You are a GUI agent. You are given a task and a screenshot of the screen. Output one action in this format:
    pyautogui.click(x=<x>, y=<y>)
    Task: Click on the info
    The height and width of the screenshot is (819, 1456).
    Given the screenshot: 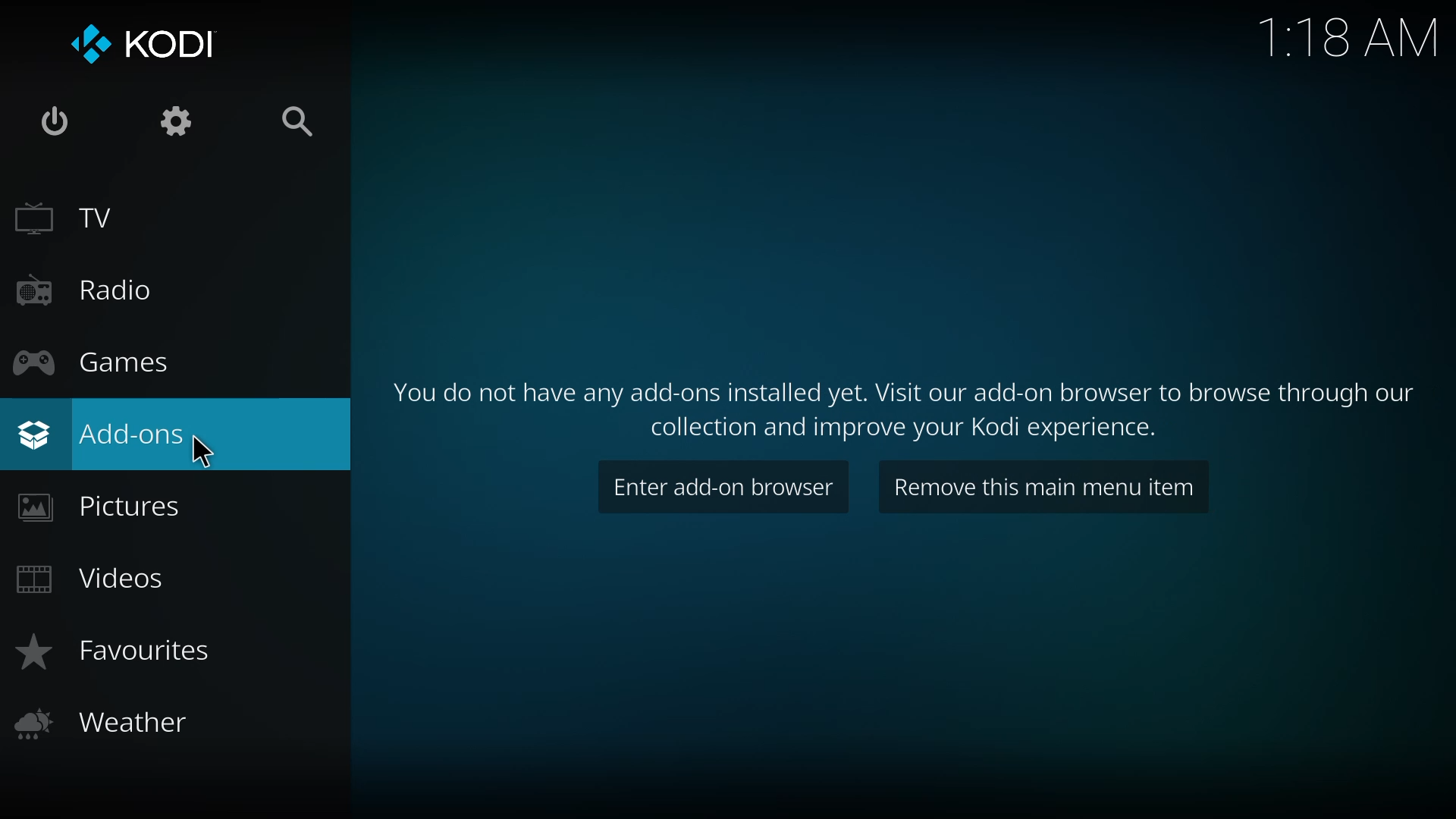 What is the action you would take?
    pyautogui.click(x=904, y=403)
    